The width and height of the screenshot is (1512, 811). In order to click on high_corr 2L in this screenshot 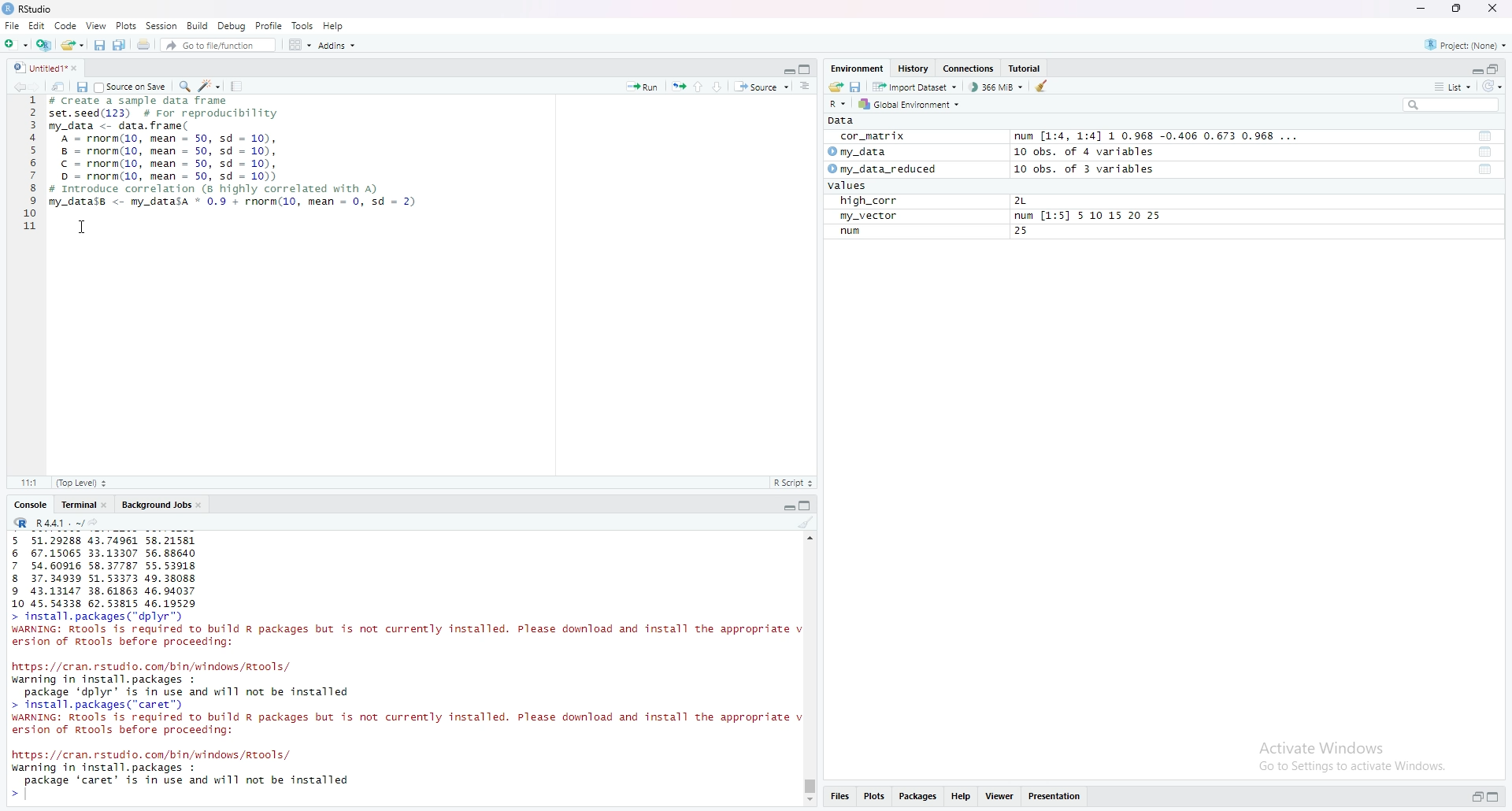, I will do `click(943, 202)`.